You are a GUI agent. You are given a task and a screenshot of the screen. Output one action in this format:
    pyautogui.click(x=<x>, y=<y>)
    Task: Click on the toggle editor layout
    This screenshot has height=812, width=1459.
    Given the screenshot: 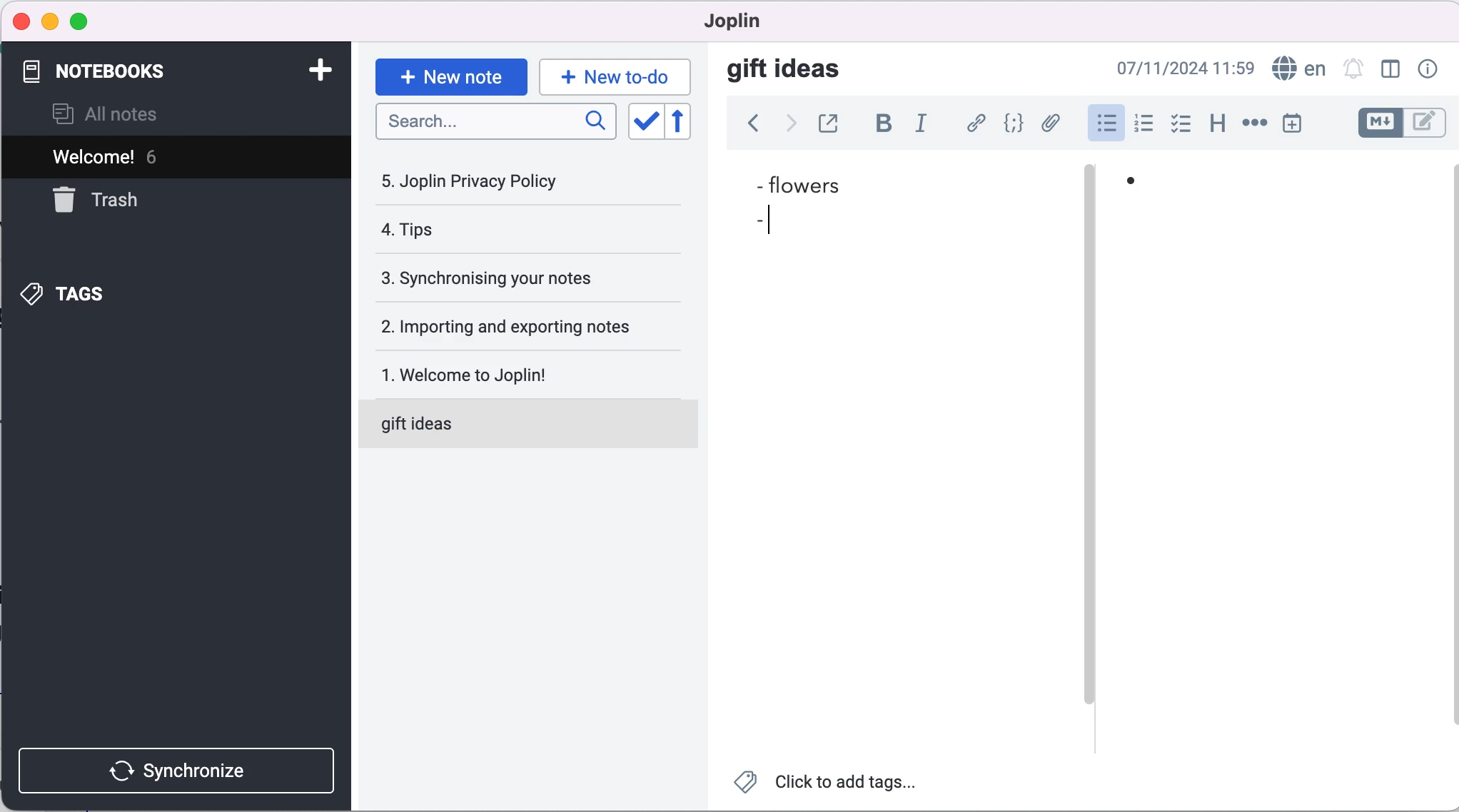 What is the action you would take?
    pyautogui.click(x=1390, y=70)
    